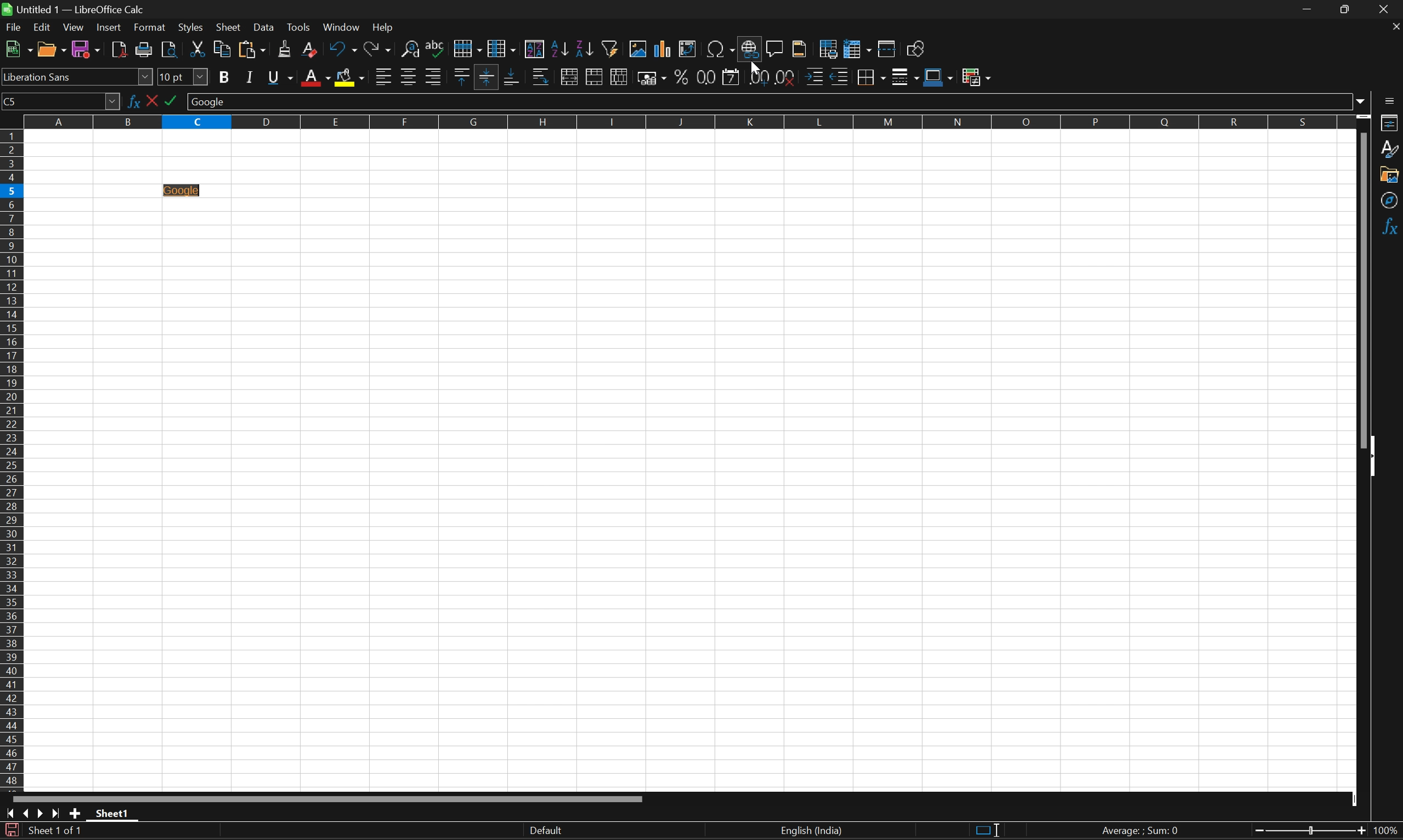  Describe the element at coordinates (810, 831) in the screenshot. I see `English (India)` at that location.